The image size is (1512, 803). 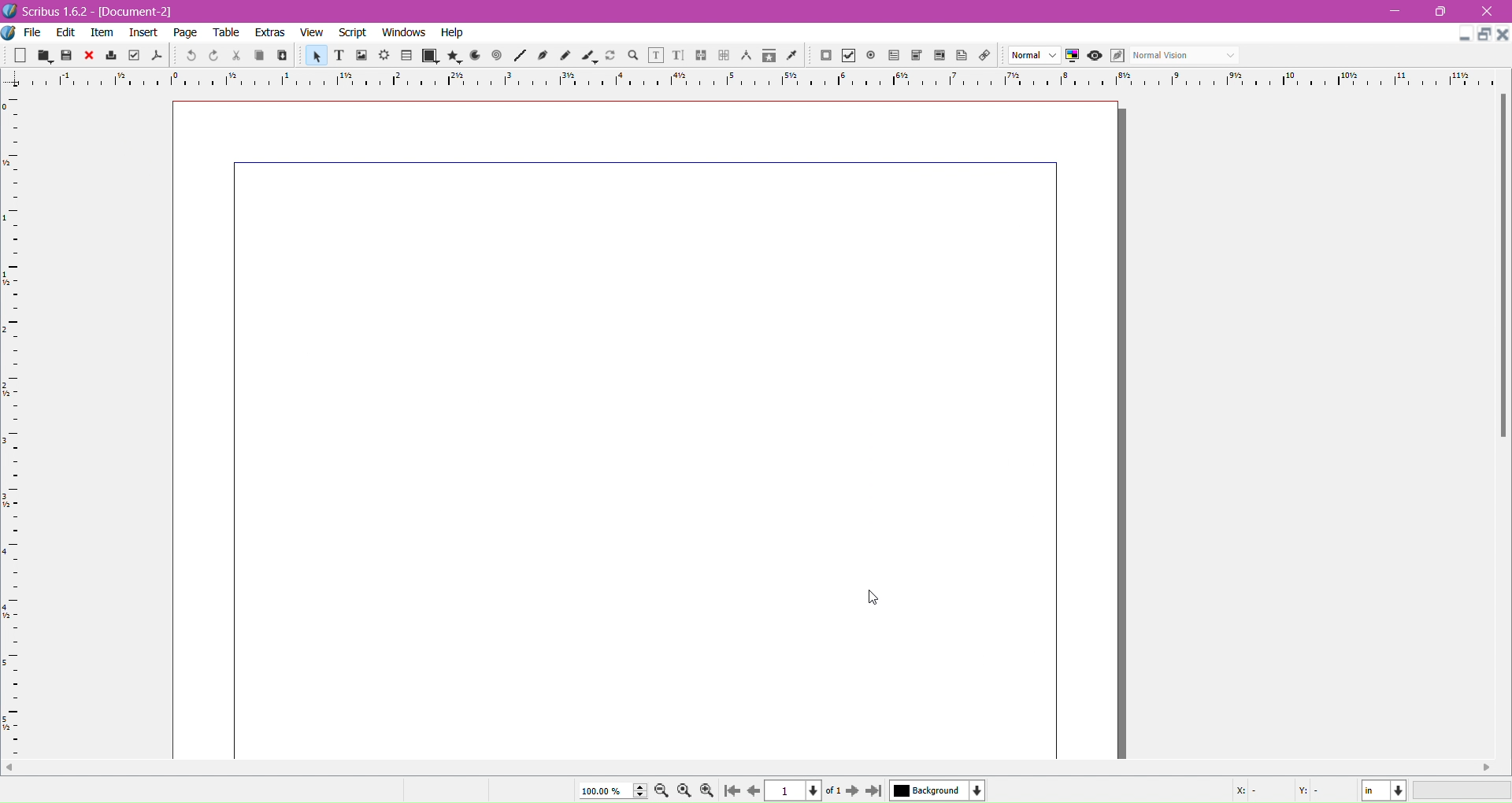 I want to click on cursor, so click(x=868, y=598).